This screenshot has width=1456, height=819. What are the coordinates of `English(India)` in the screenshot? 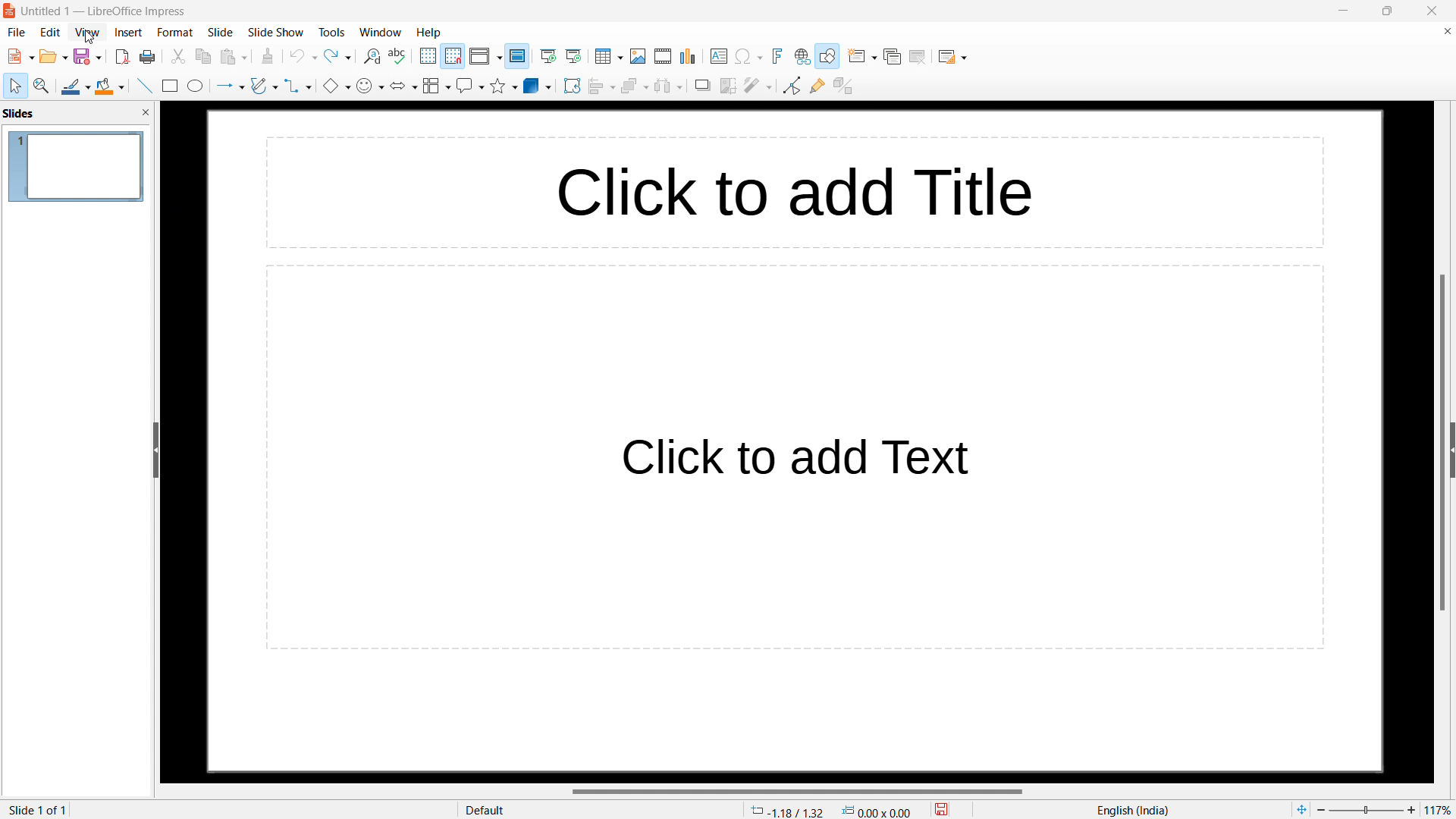 It's located at (1129, 811).